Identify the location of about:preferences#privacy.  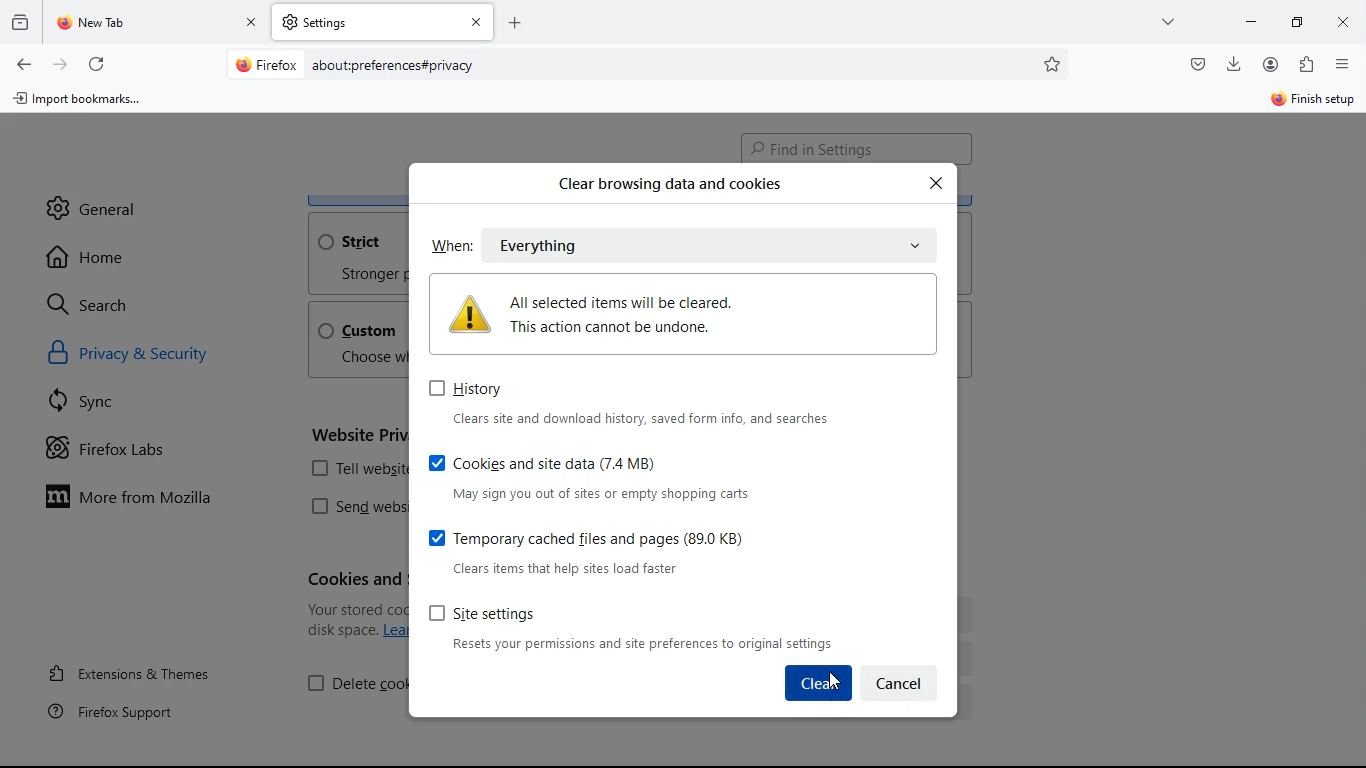
(394, 66).